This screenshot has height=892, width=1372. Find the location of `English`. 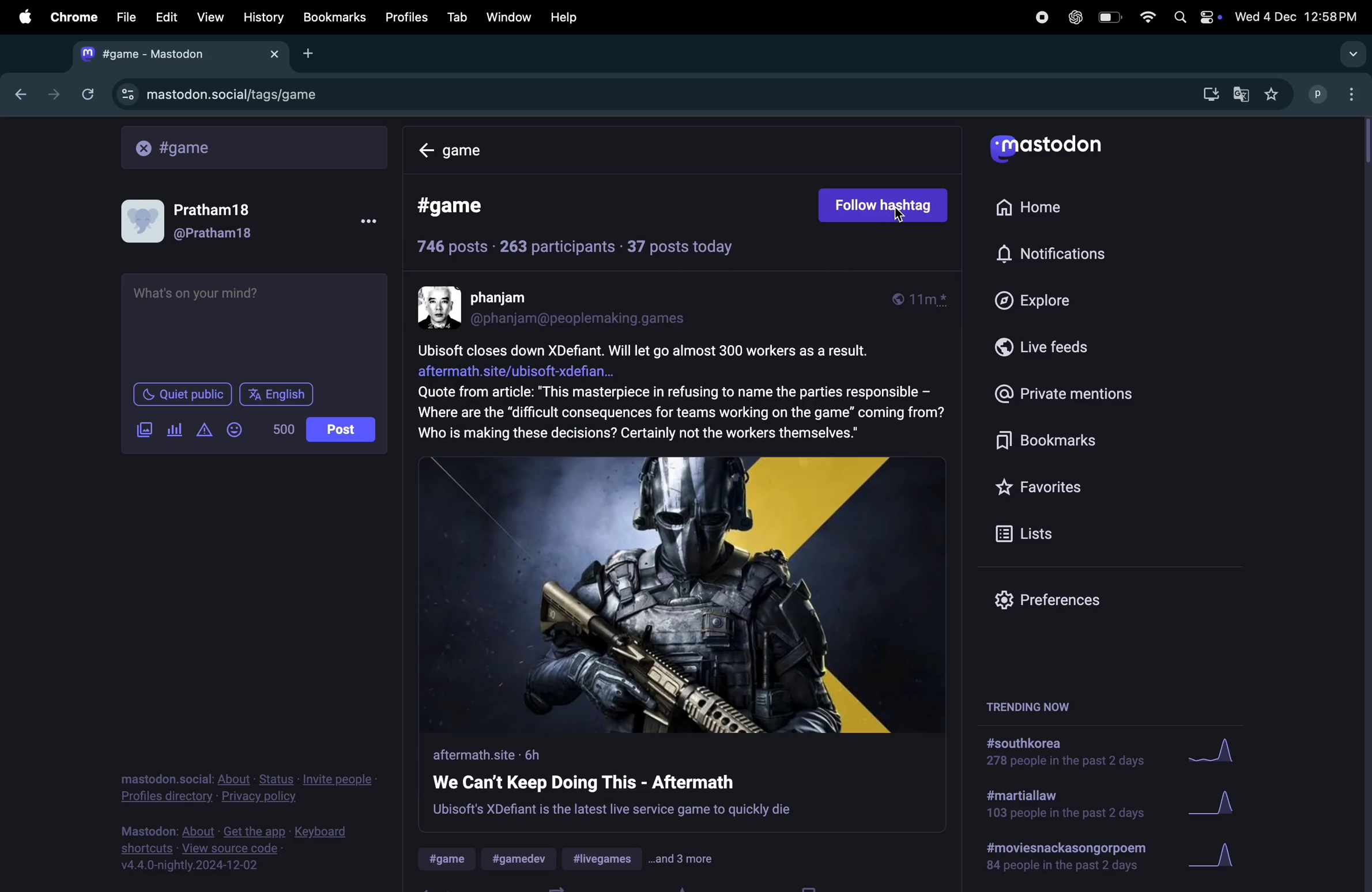

English is located at coordinates (277, 393).